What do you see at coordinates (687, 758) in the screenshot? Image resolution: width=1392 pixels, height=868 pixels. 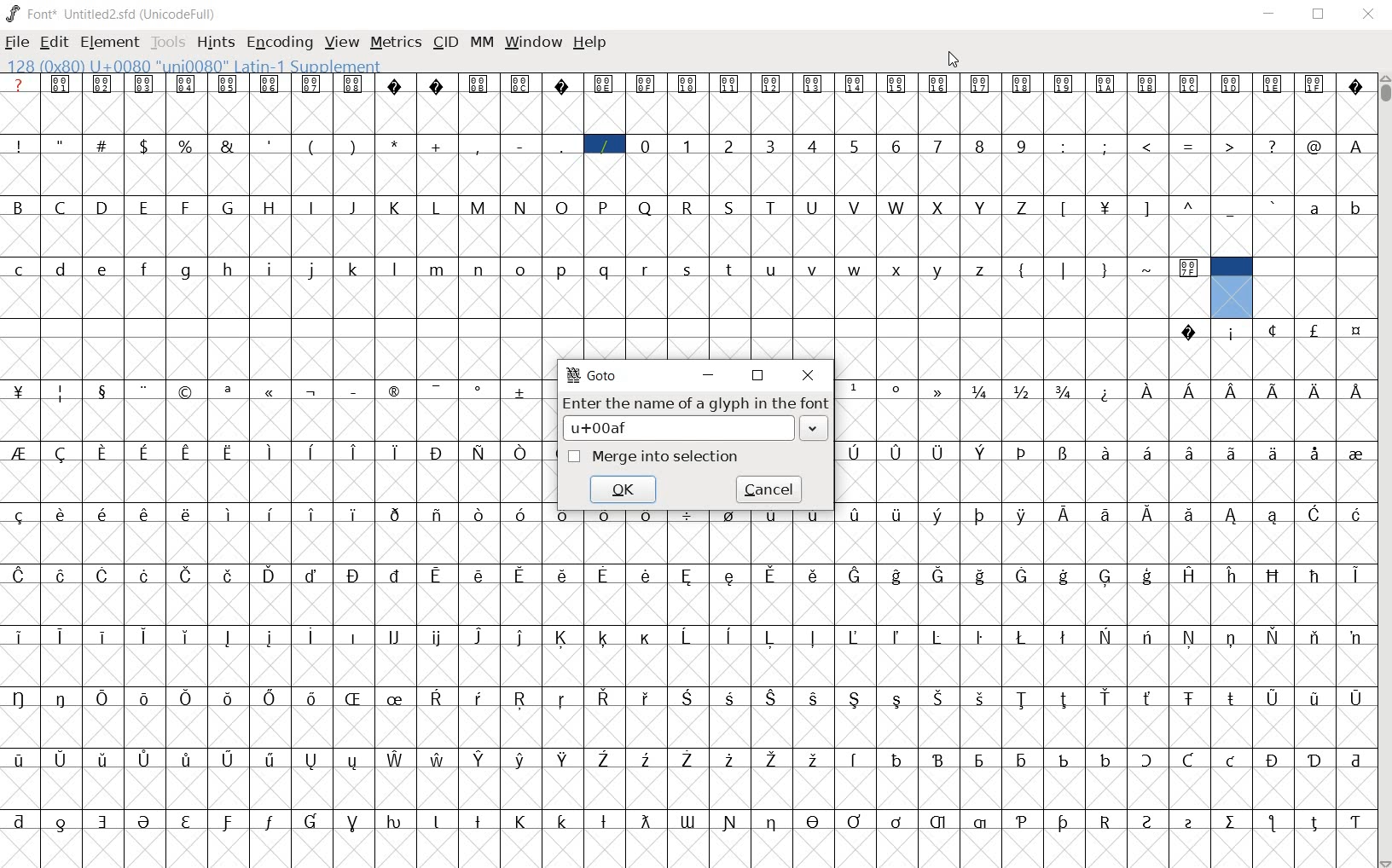 I see `Symbol` at bounding box center [687, 758].